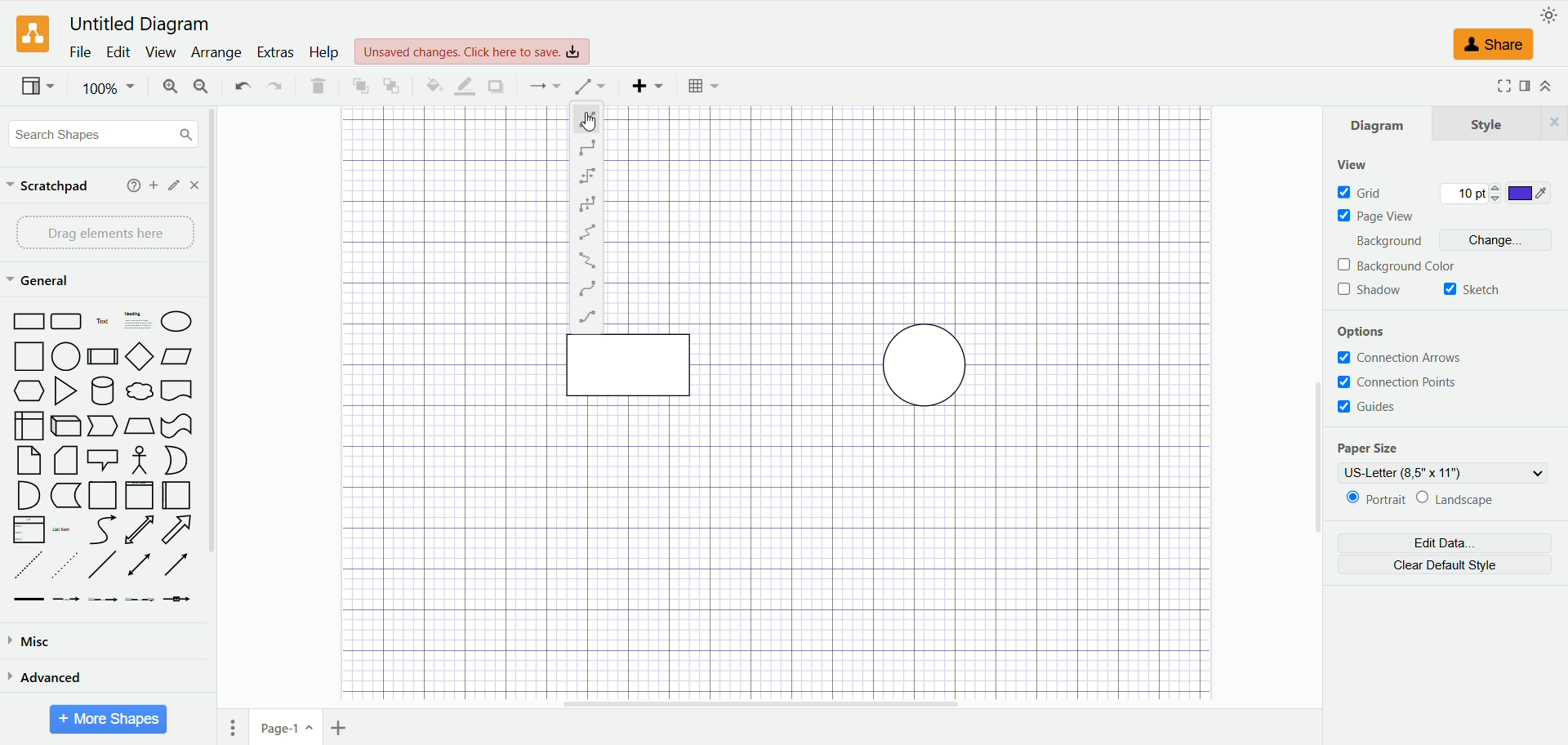  What do you see at coordinates (141, 391) in the screenshot?
I see `Thought Bubble` at bounding box center [141, 391].